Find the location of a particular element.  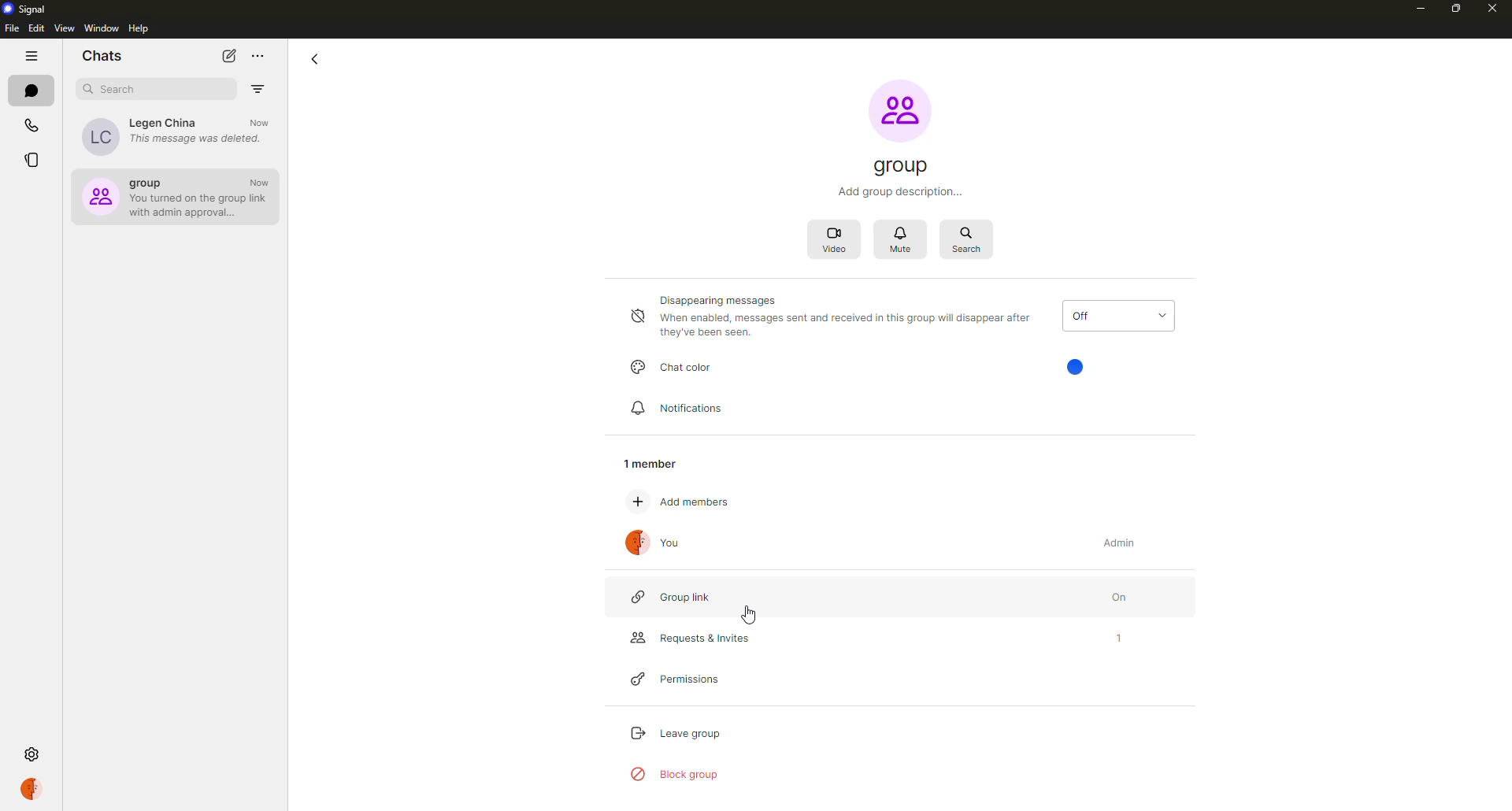

1 member is located at coordinates (655, 465).